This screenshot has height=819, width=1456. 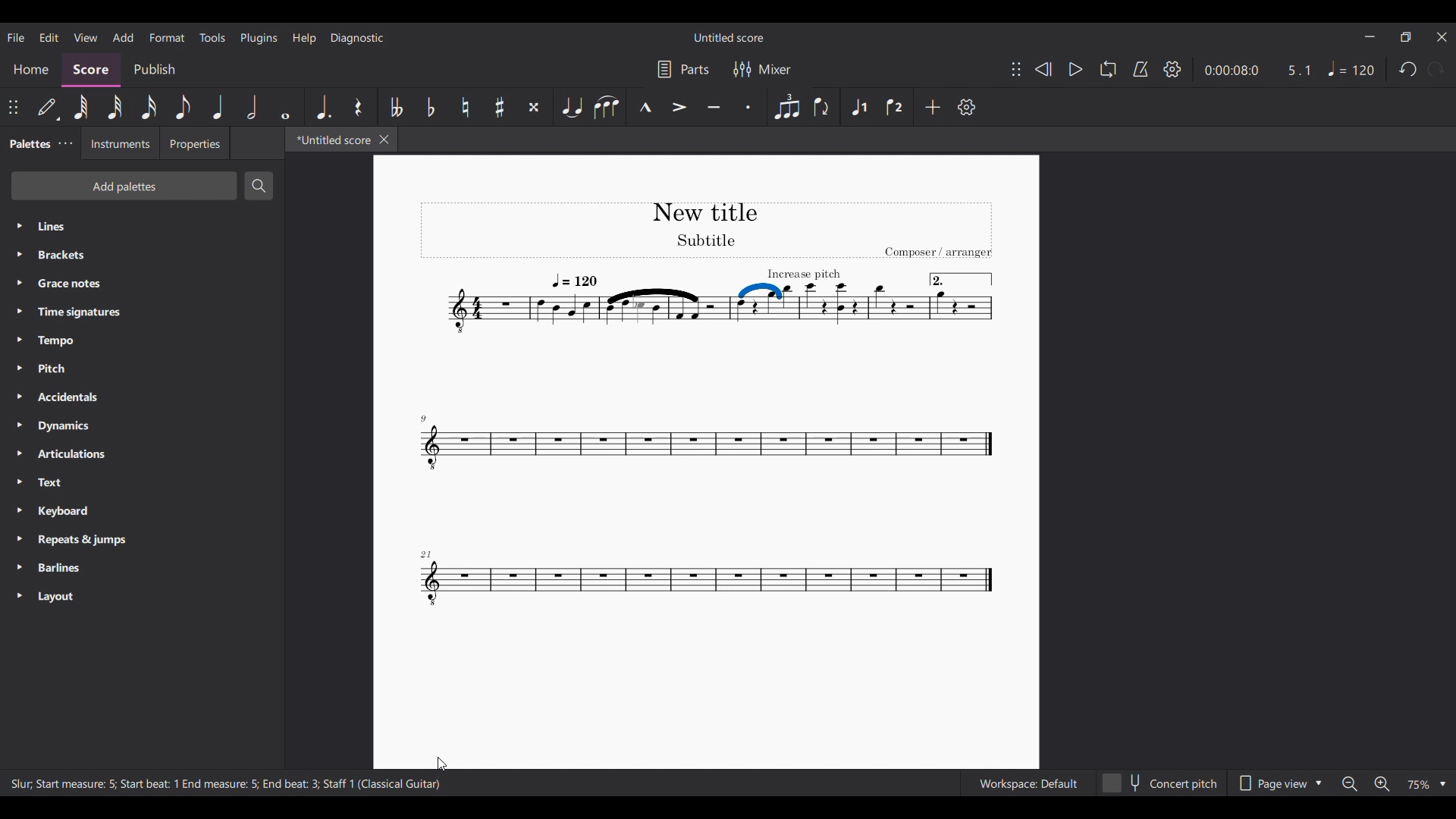 I want to click on Rest, so click(x=359, y=107).